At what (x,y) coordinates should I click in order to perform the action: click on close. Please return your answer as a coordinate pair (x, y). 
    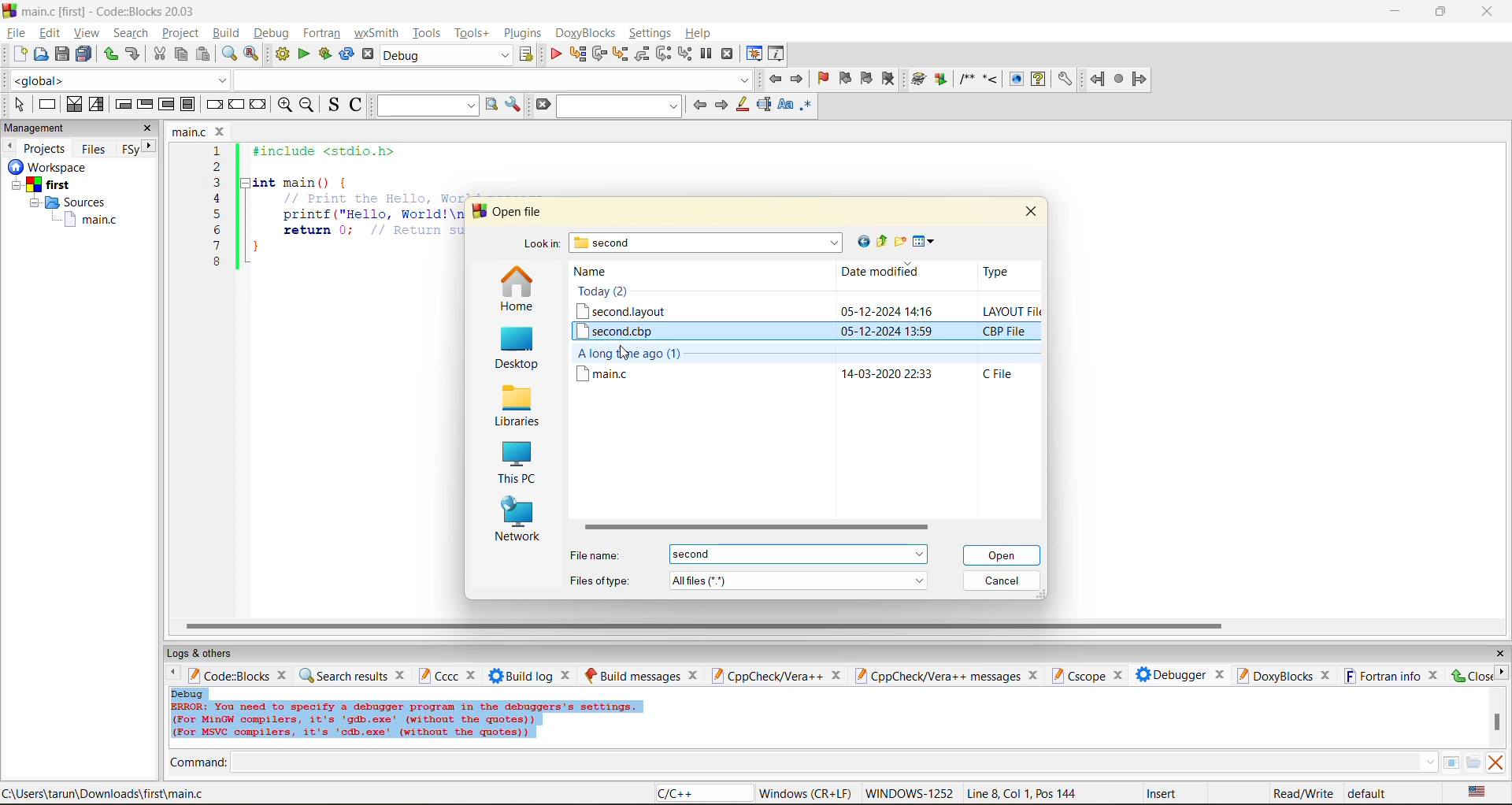
    Looking at the image, I should click on (1036, 675).